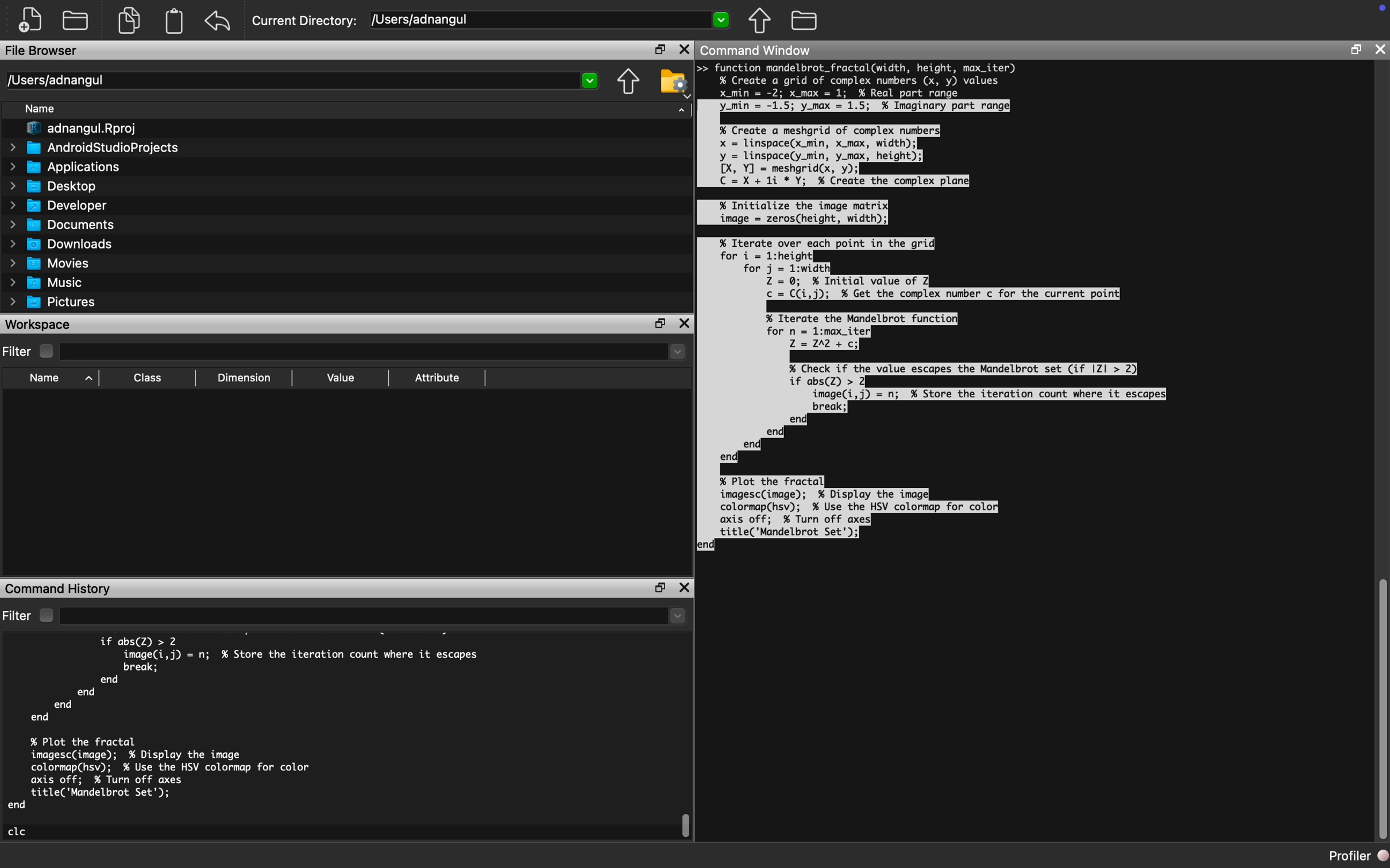  Describe the element at coordinates (307, 20) in the screenshot. I see `Current Directory:` at that location.